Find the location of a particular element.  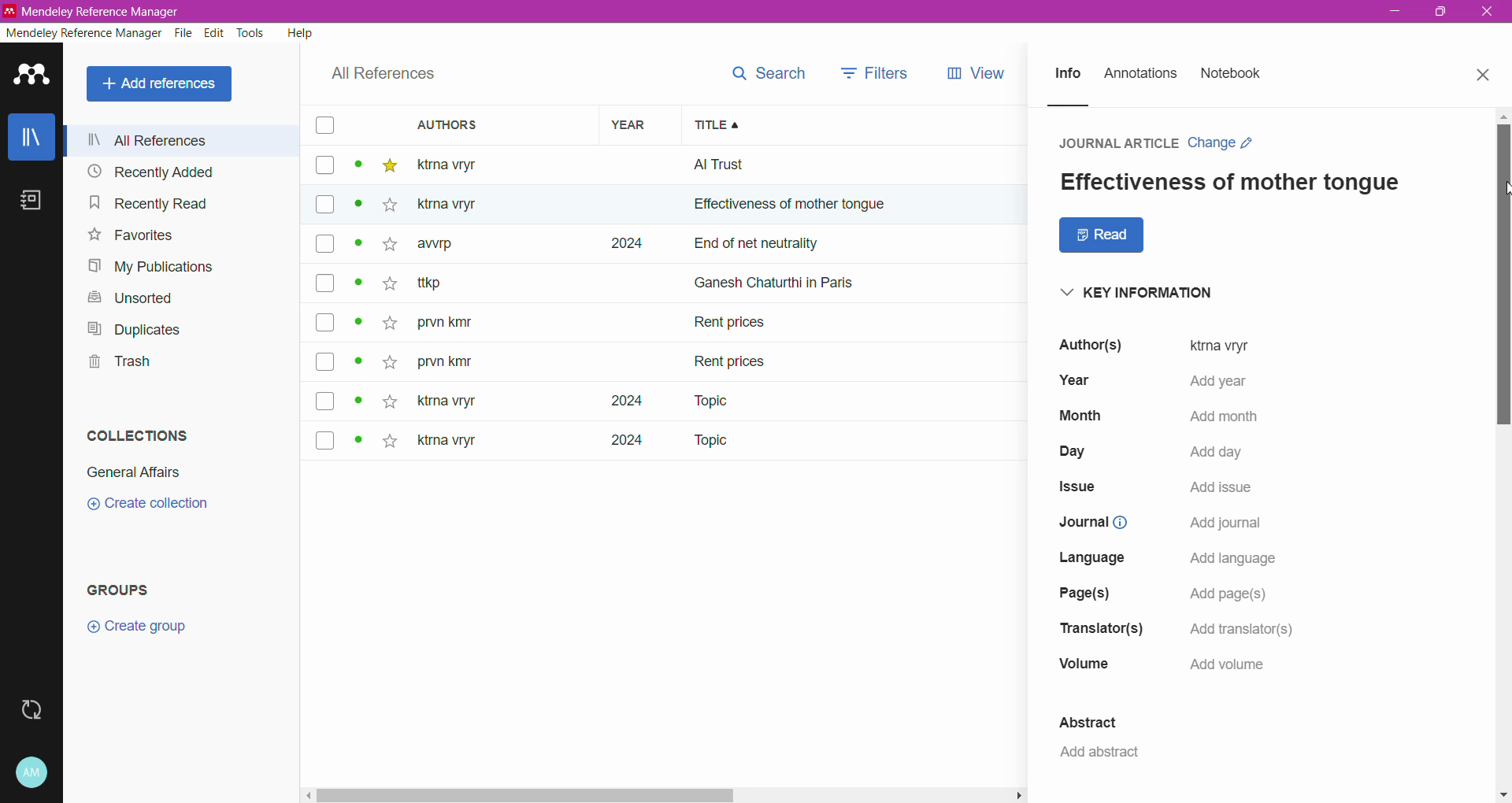

Click to add month is located at coordinates (1217, 415).